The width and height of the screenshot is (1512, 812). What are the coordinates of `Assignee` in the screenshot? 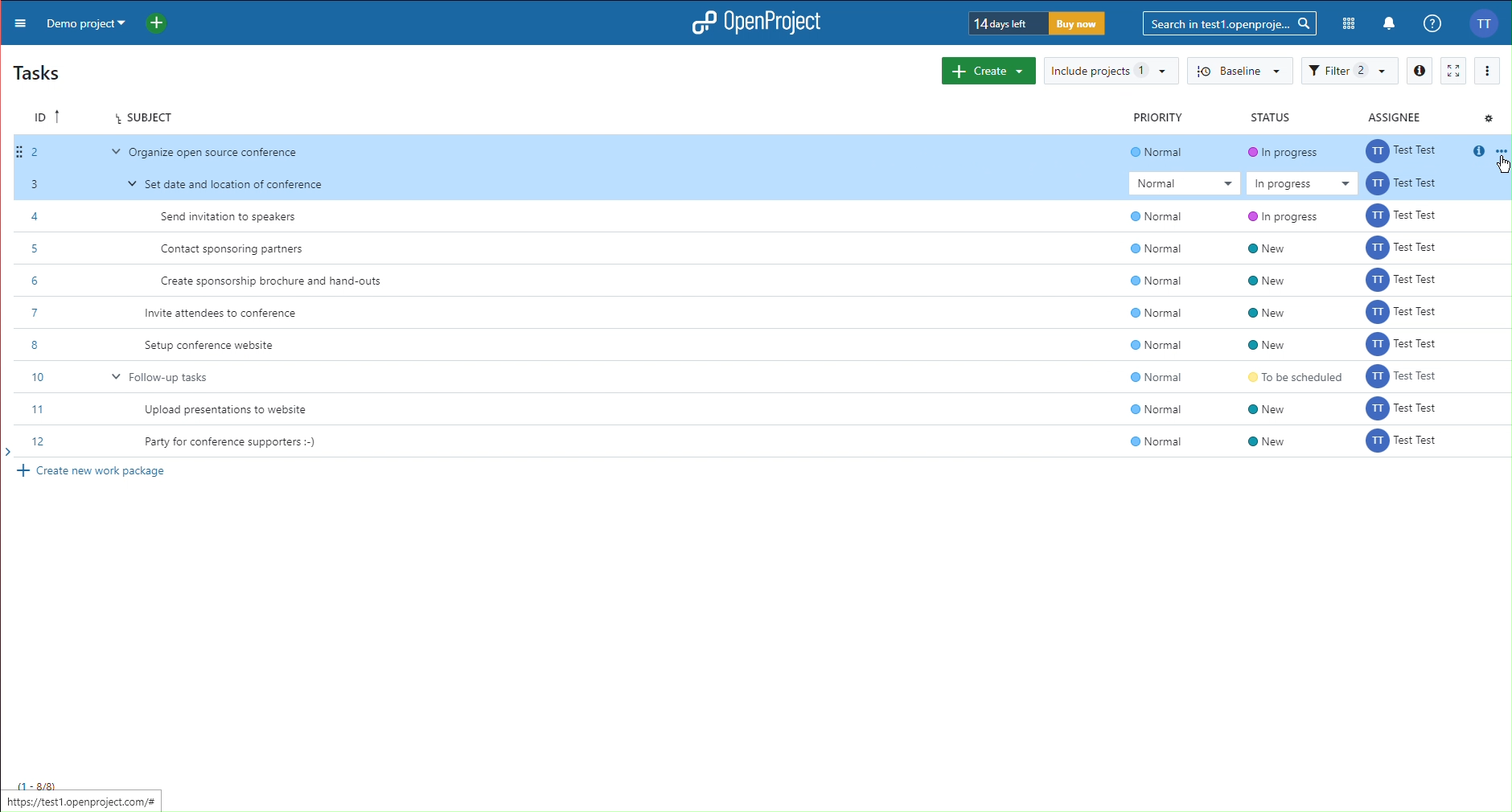 It's located at (1401, 116).